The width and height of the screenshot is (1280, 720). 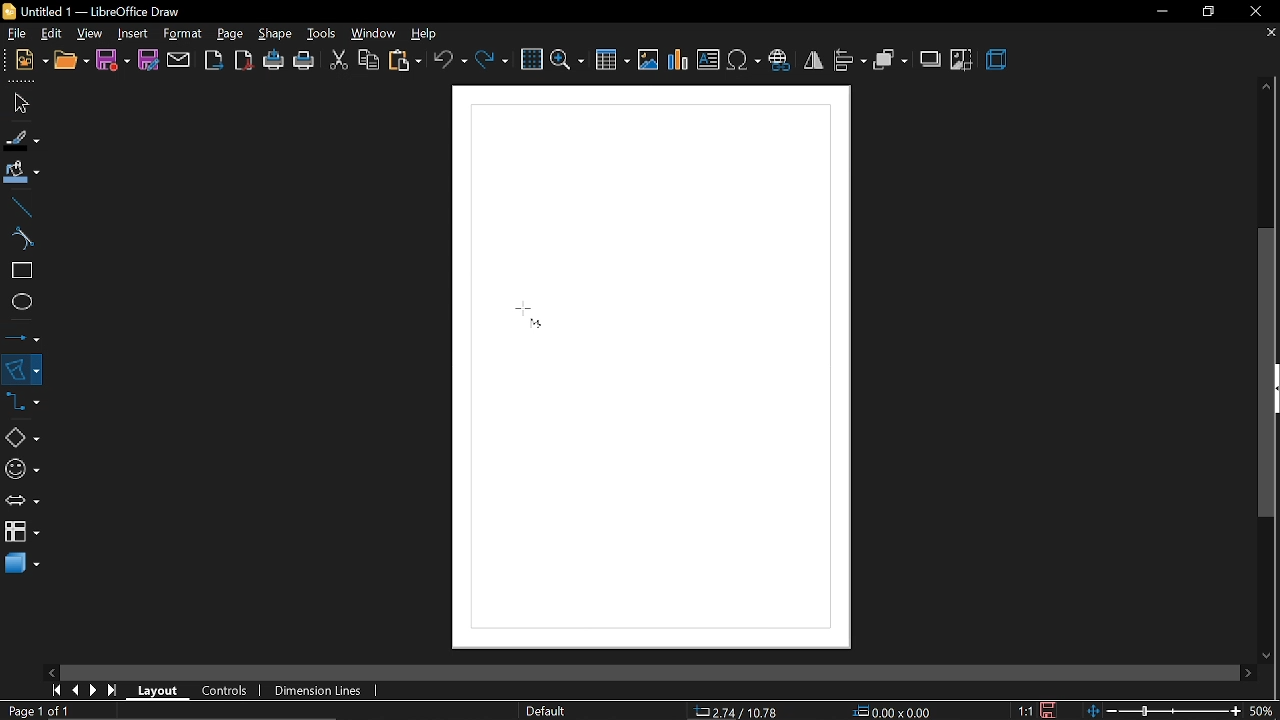 What do you see at coordinates (115, 691) in the screenshot?
I see `go to last page` at bounding box center [115, 691].